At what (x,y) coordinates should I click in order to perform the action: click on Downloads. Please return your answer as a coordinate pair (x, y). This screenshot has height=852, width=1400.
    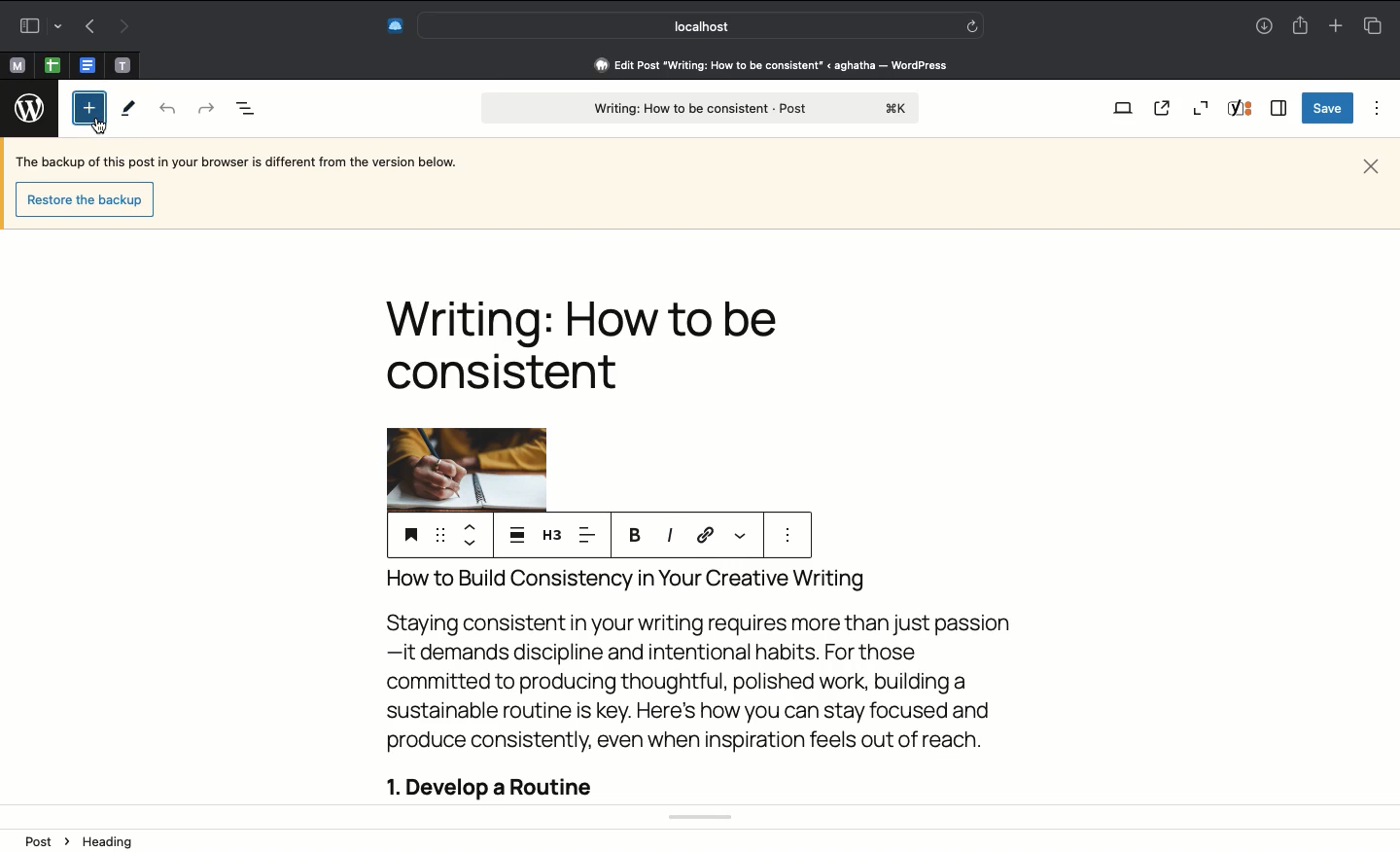
    Looking at the image, I should click on (1266, 25).